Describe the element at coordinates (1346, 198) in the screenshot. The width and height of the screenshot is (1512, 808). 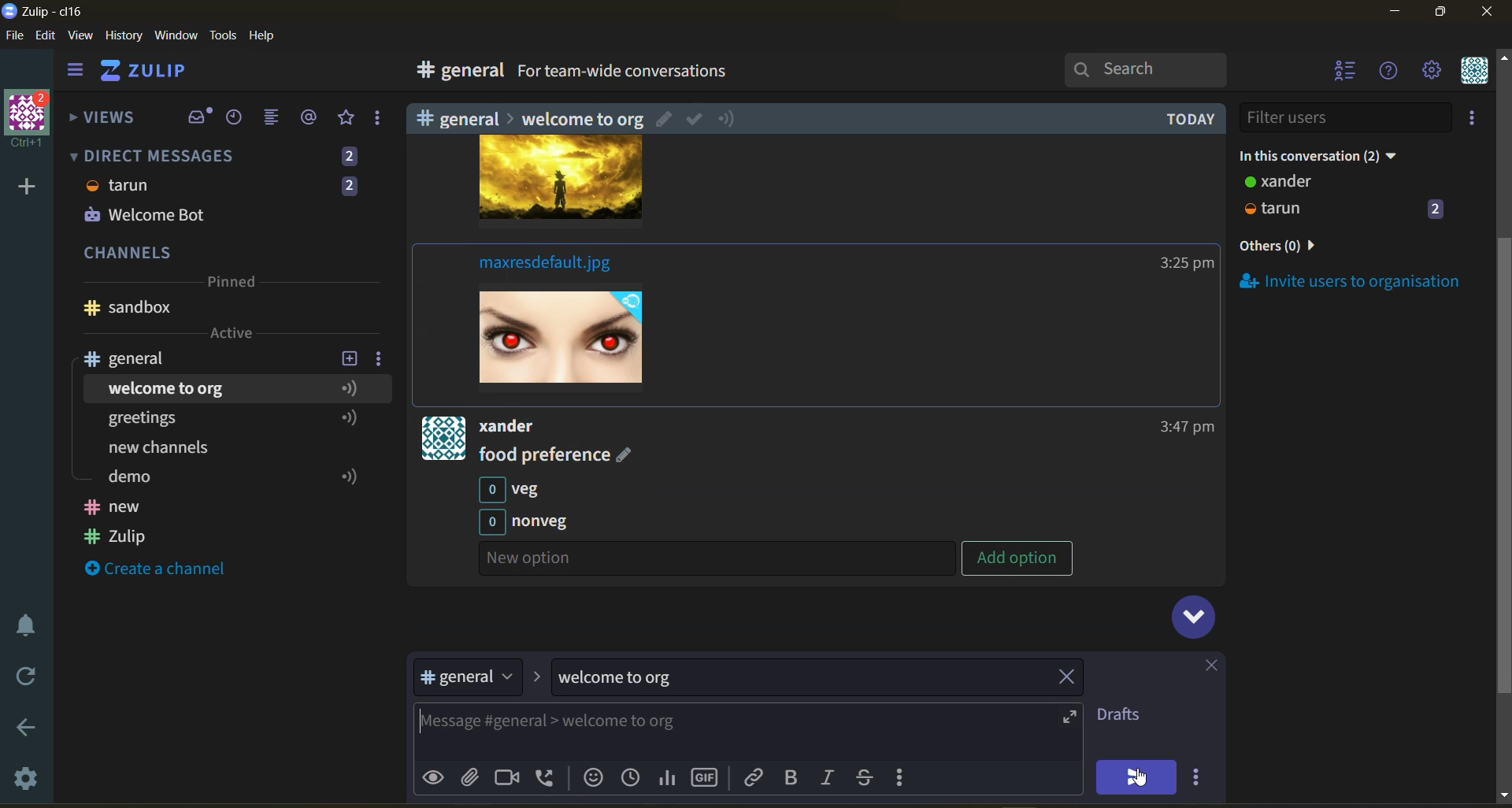
I see `users and status` at that location.